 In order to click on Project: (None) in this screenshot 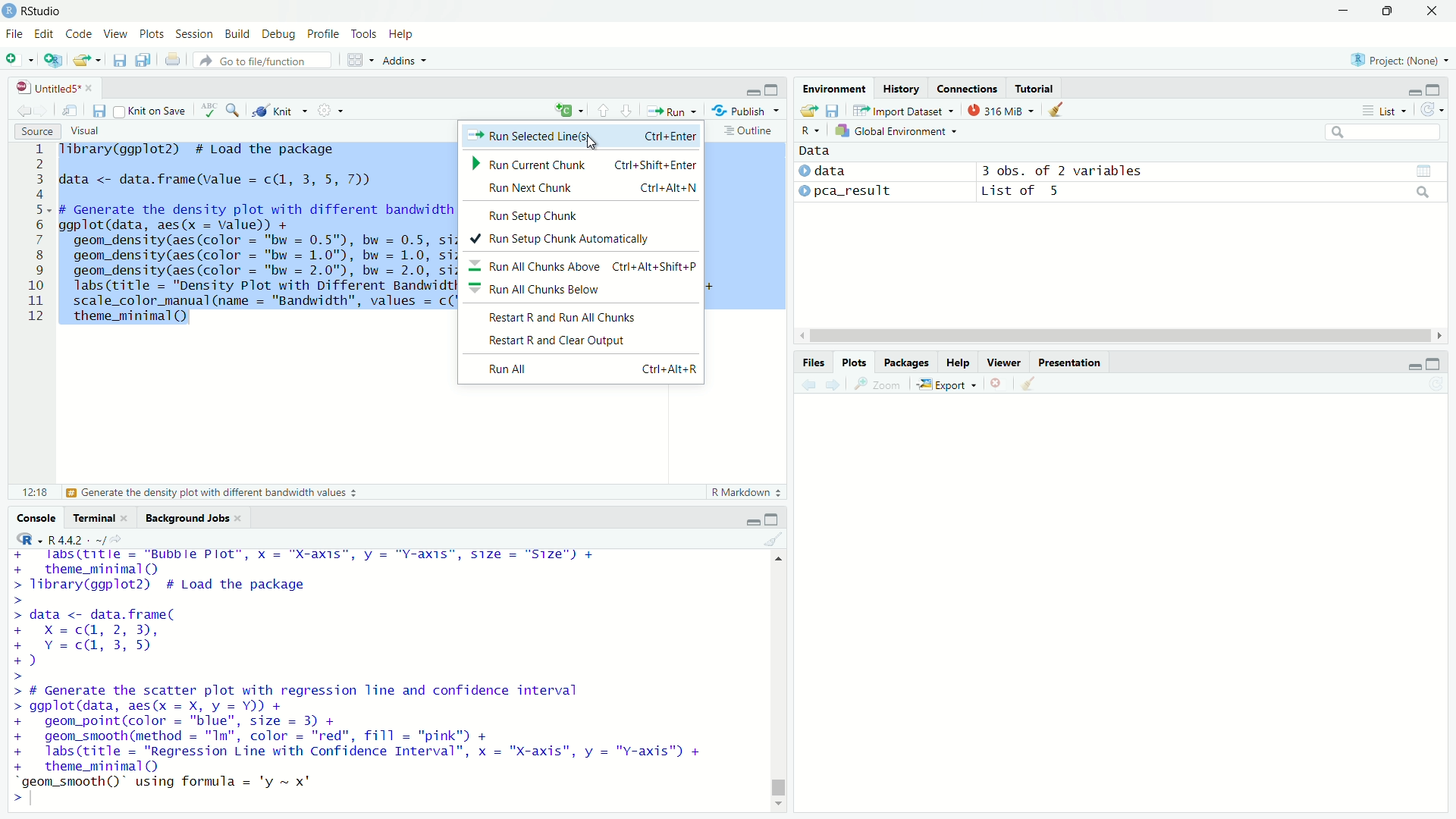, I will do `click(1398, 58)`.